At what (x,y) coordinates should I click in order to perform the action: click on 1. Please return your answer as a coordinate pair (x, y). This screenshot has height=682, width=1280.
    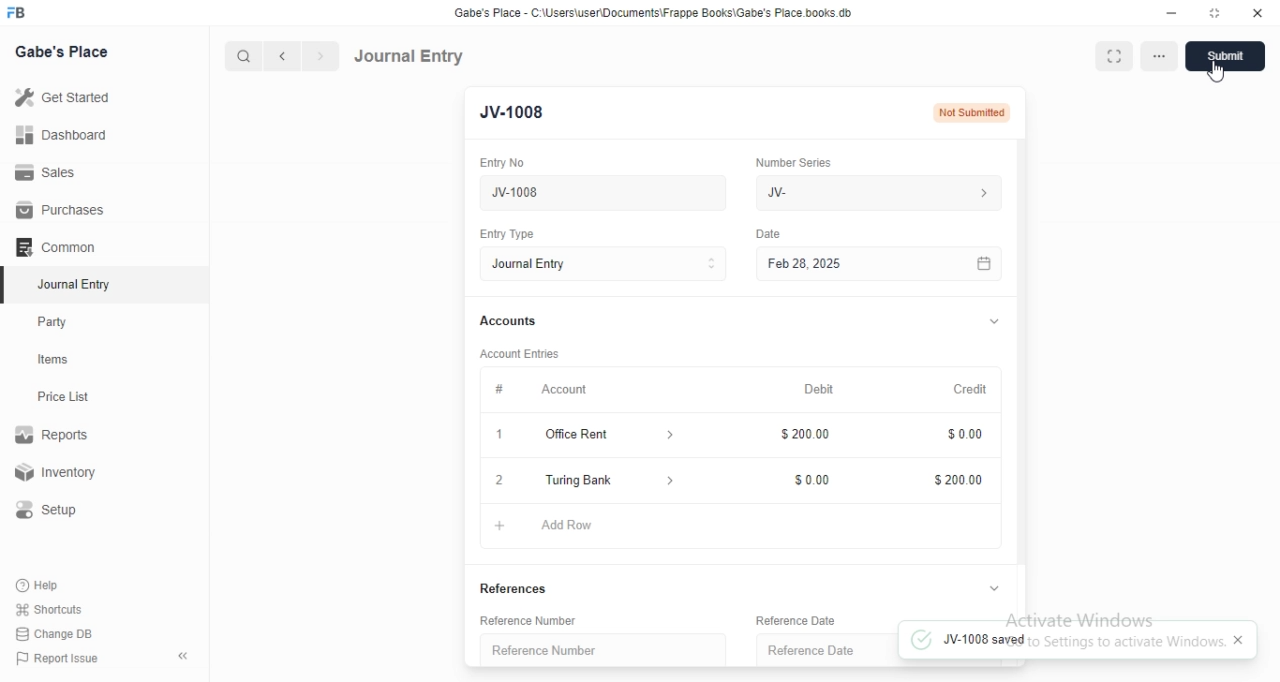
    Looking at the image, I should click on (497, 435).